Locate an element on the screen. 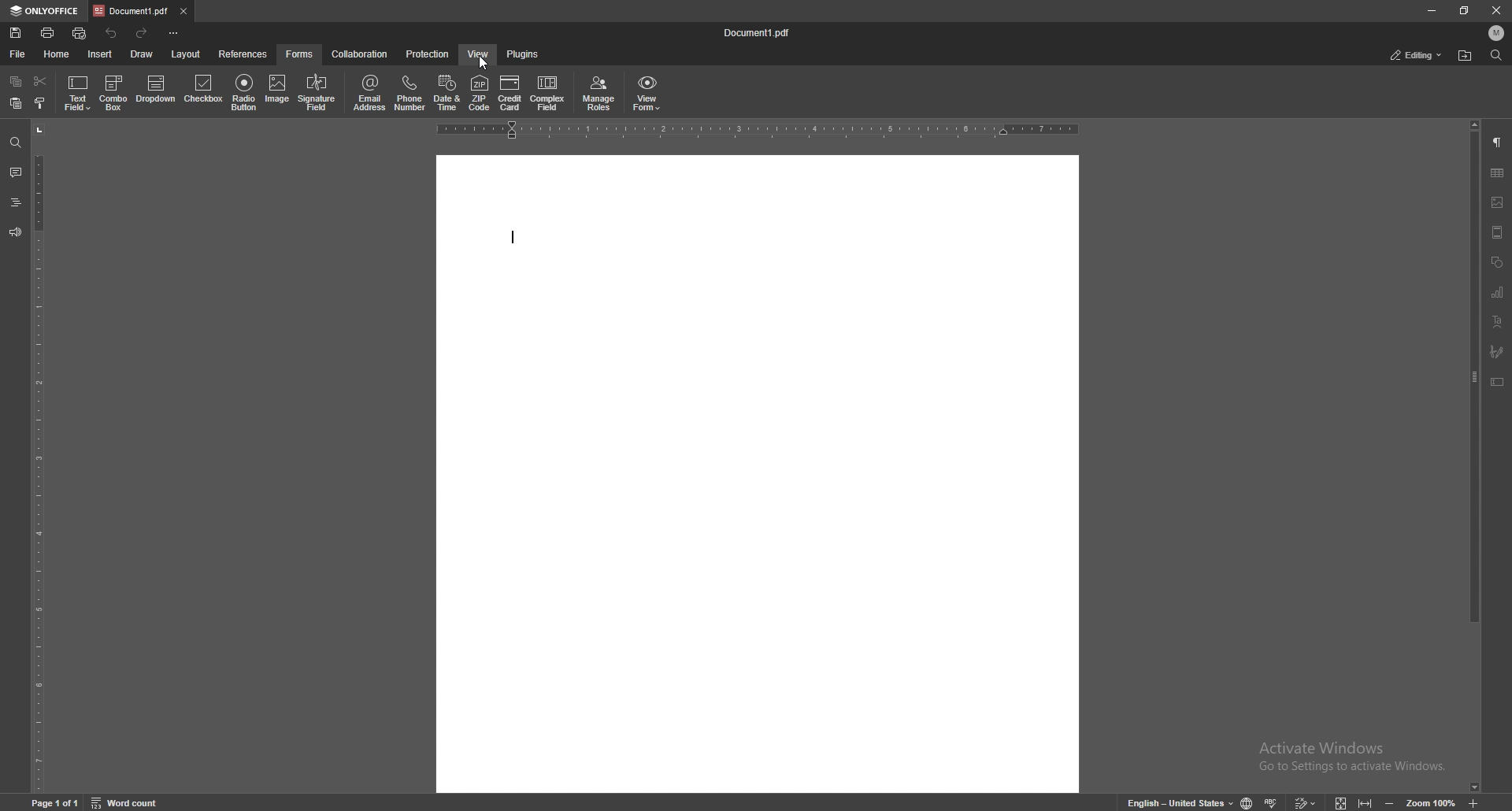  vertical scale is located at coordinates (39, 456).